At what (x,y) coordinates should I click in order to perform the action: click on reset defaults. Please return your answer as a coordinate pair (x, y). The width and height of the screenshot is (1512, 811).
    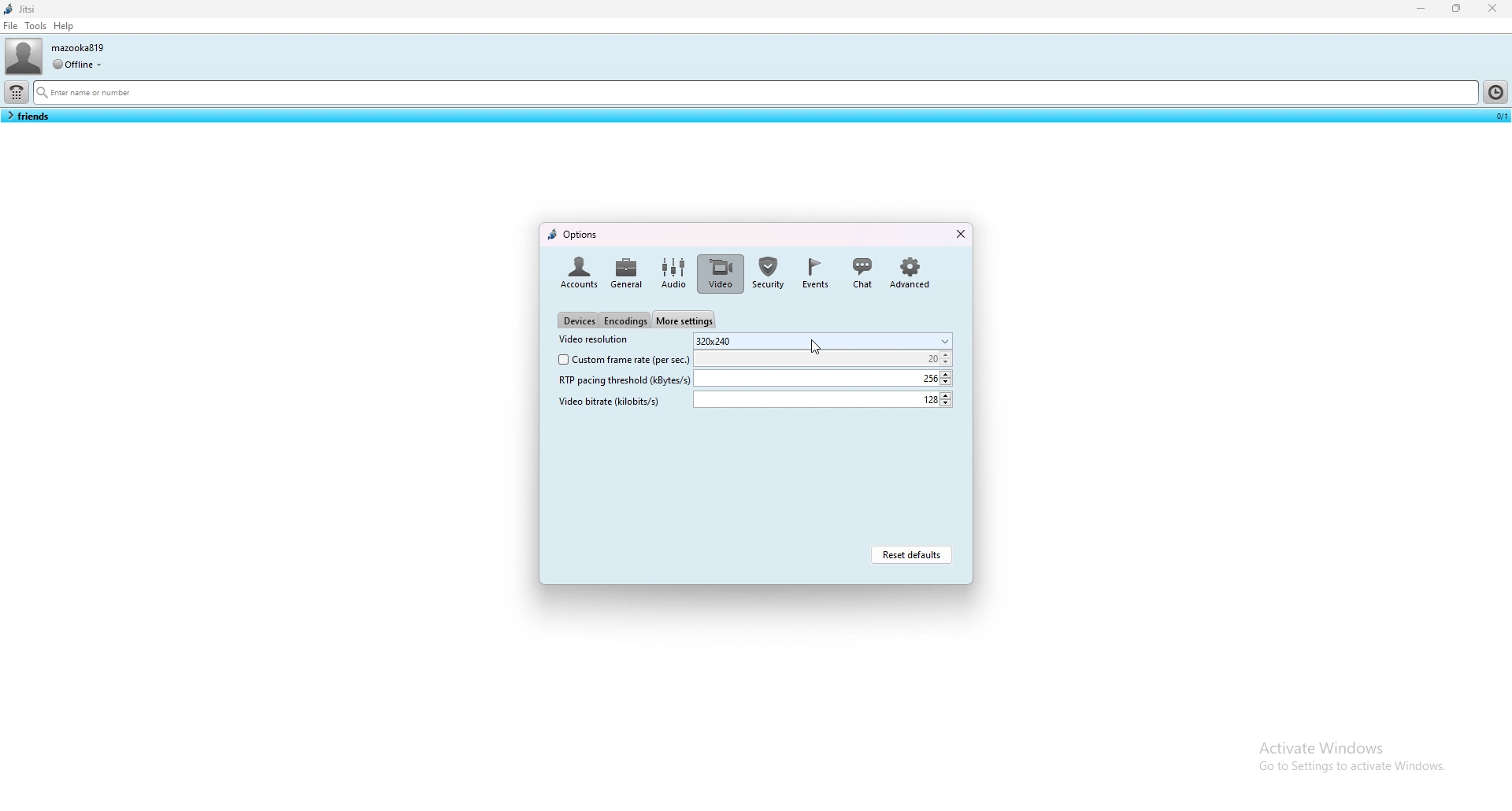
    Looking at the image, I should click on (915, 554).